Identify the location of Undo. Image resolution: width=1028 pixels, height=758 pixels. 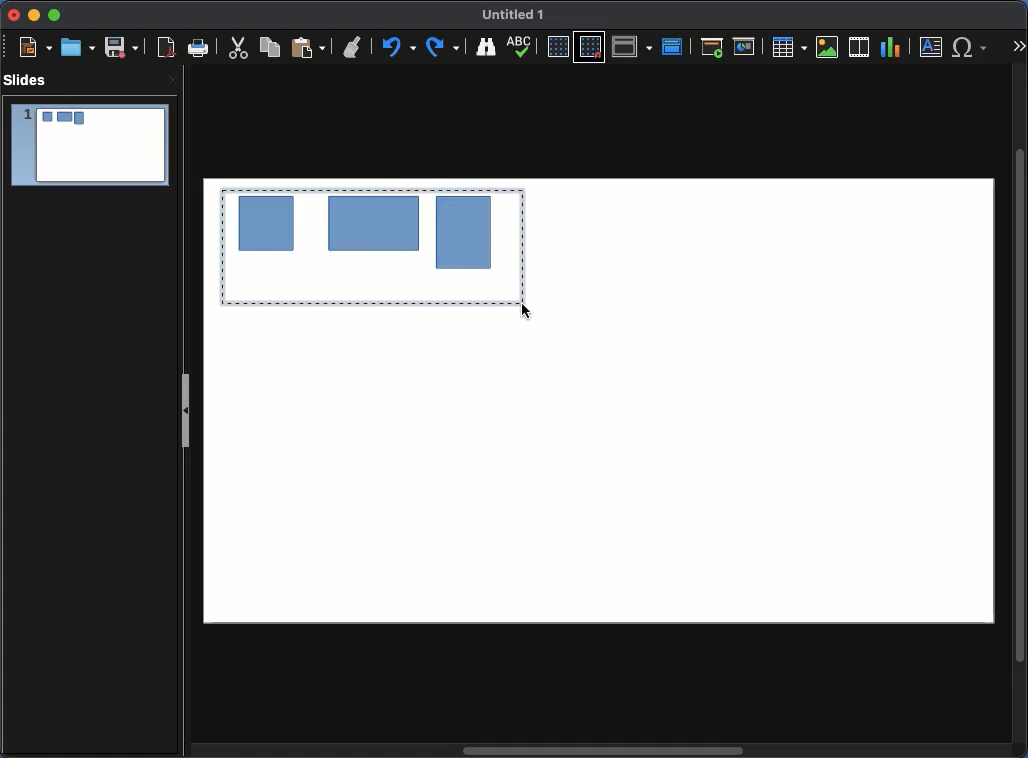
(400, 48).